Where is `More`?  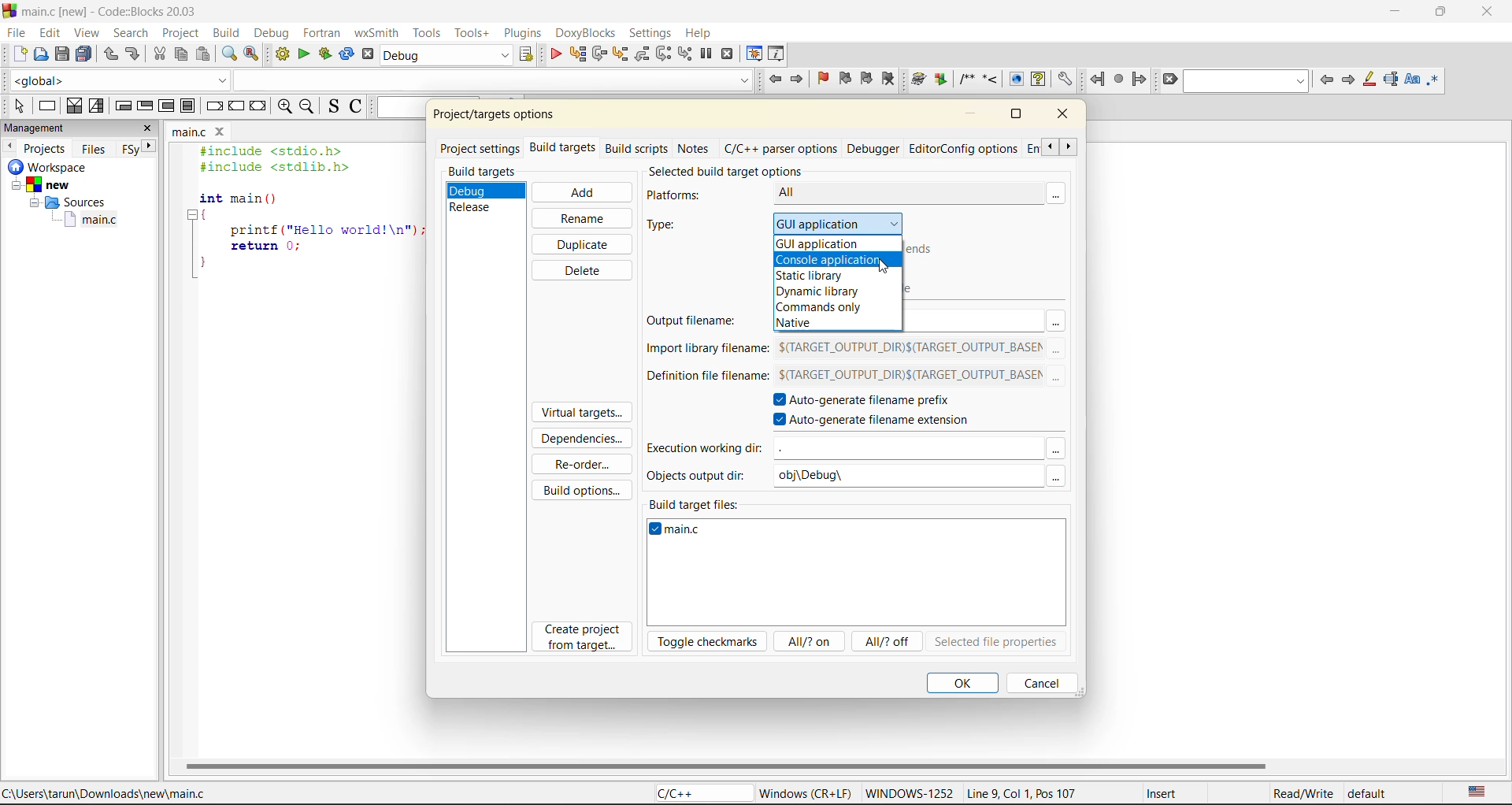
More is located at coordinates (1058, 350).